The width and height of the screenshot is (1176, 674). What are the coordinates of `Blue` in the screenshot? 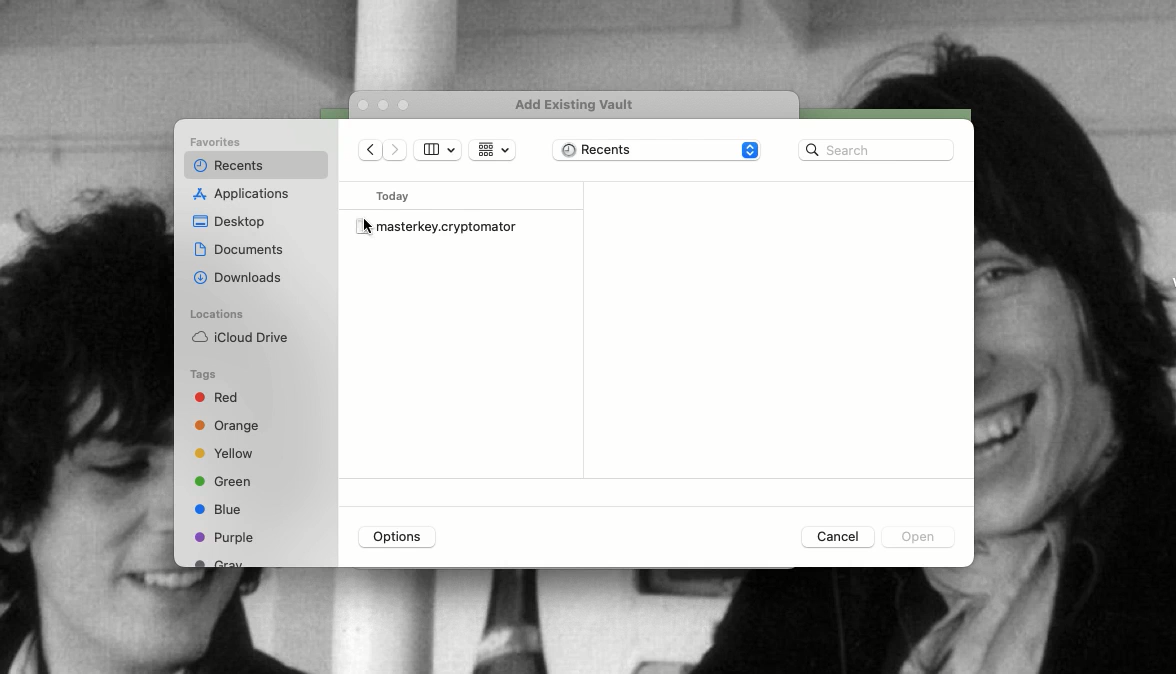 It's located at (218, 509).